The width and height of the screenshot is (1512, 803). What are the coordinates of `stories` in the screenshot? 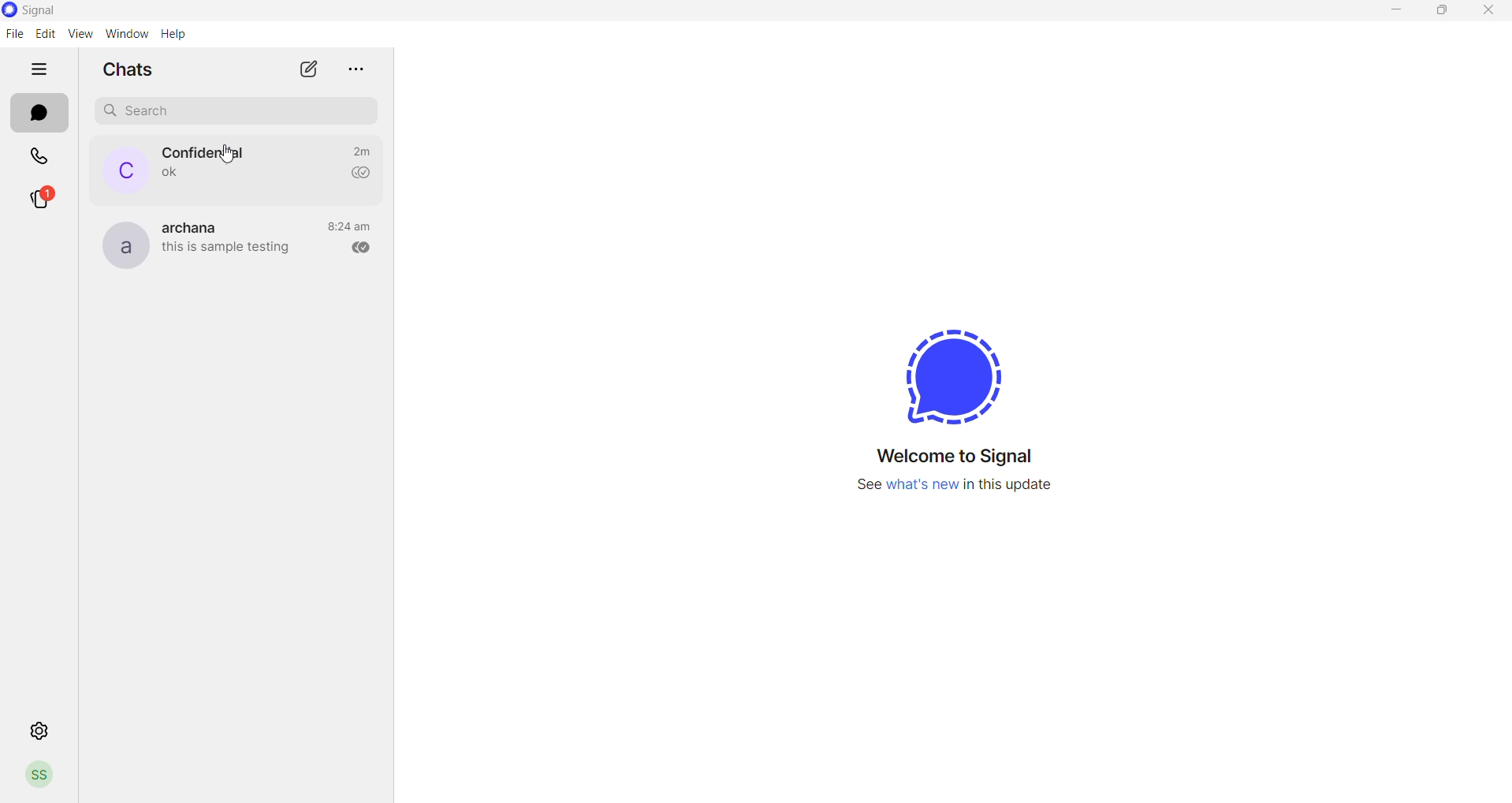 It's located at (39, 199).